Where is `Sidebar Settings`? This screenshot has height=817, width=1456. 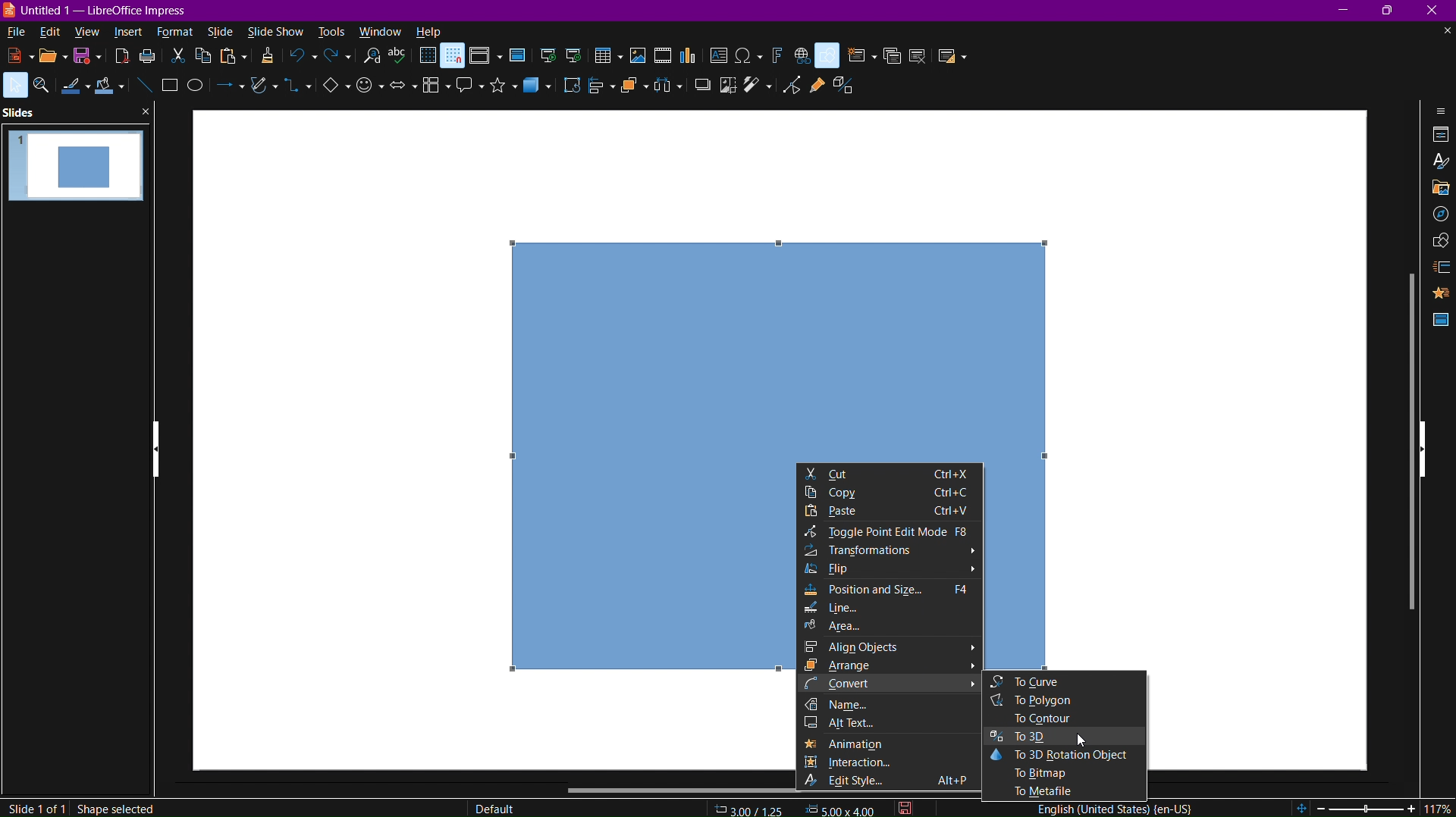
Sidebar Settings is located at coordinates (1436, 111).